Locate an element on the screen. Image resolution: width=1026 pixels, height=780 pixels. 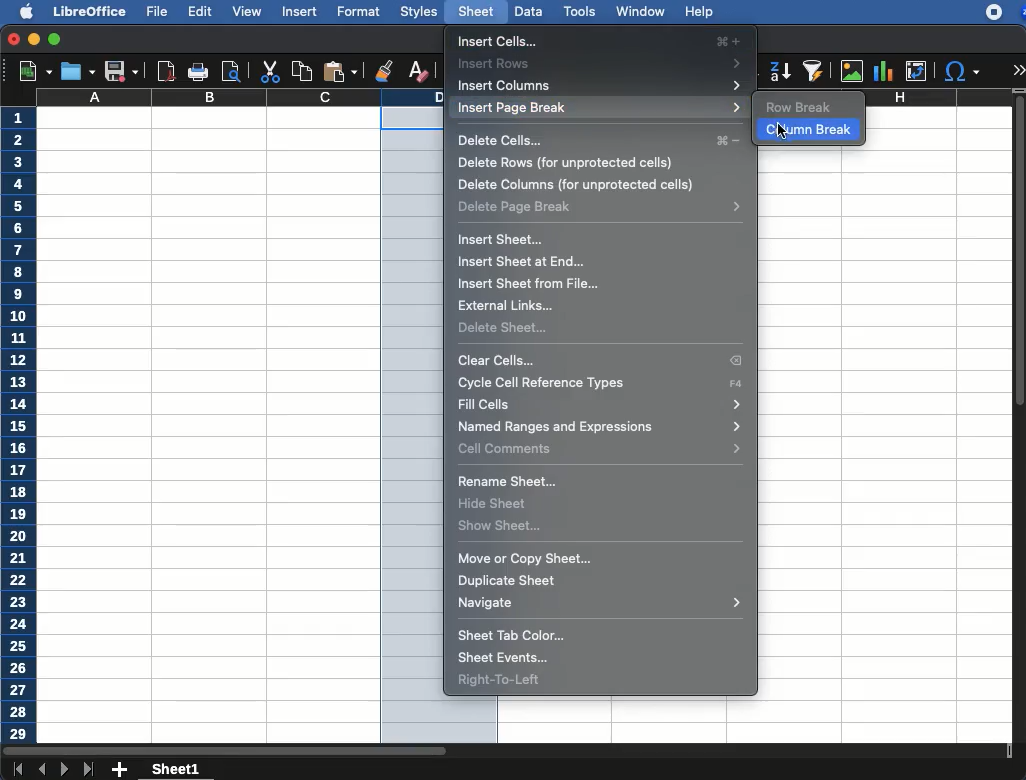
fill cells is located at coordinates (602, 404).